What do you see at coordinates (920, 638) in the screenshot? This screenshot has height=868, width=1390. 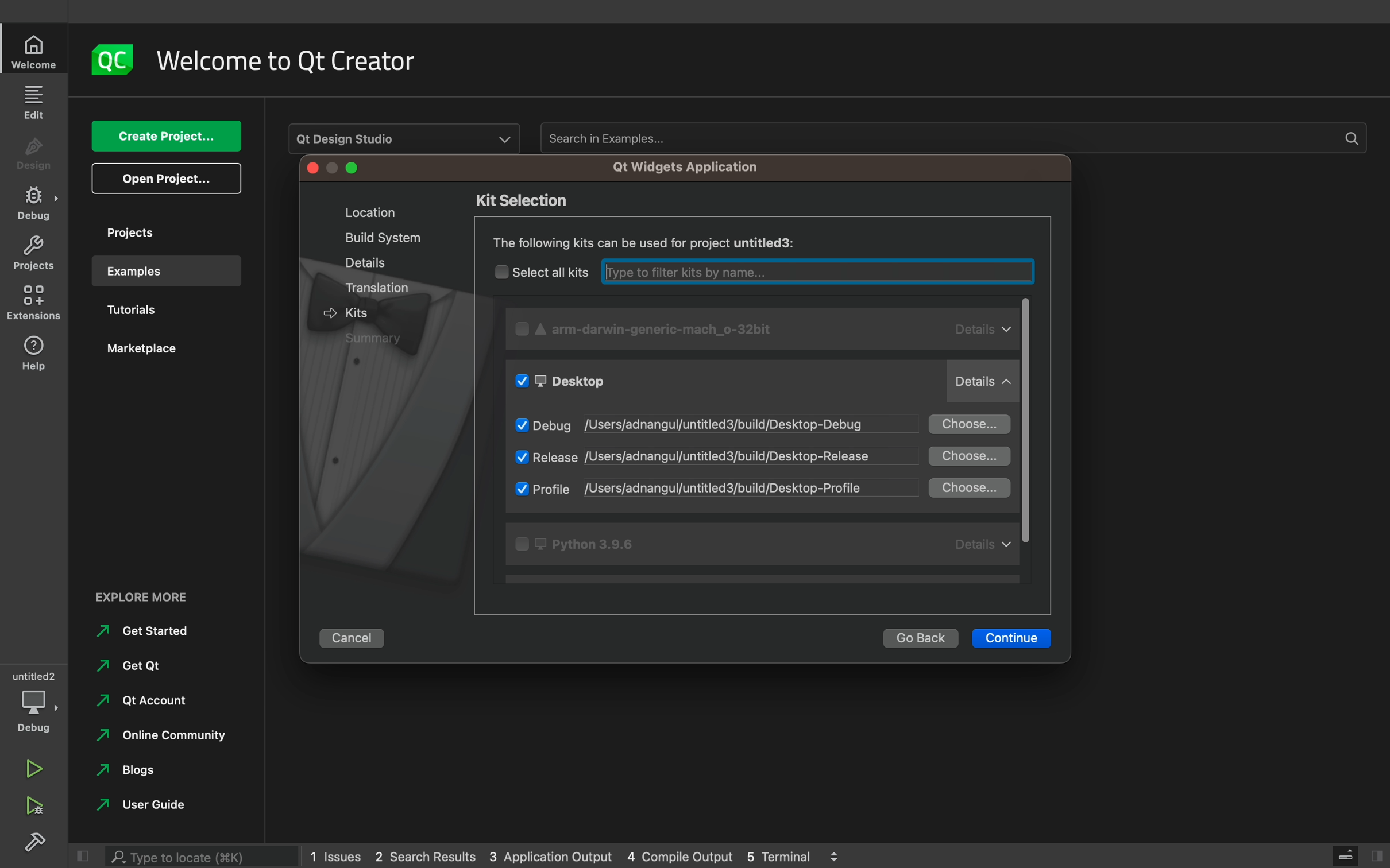 I see `go back` at bounding box center [920, 638].